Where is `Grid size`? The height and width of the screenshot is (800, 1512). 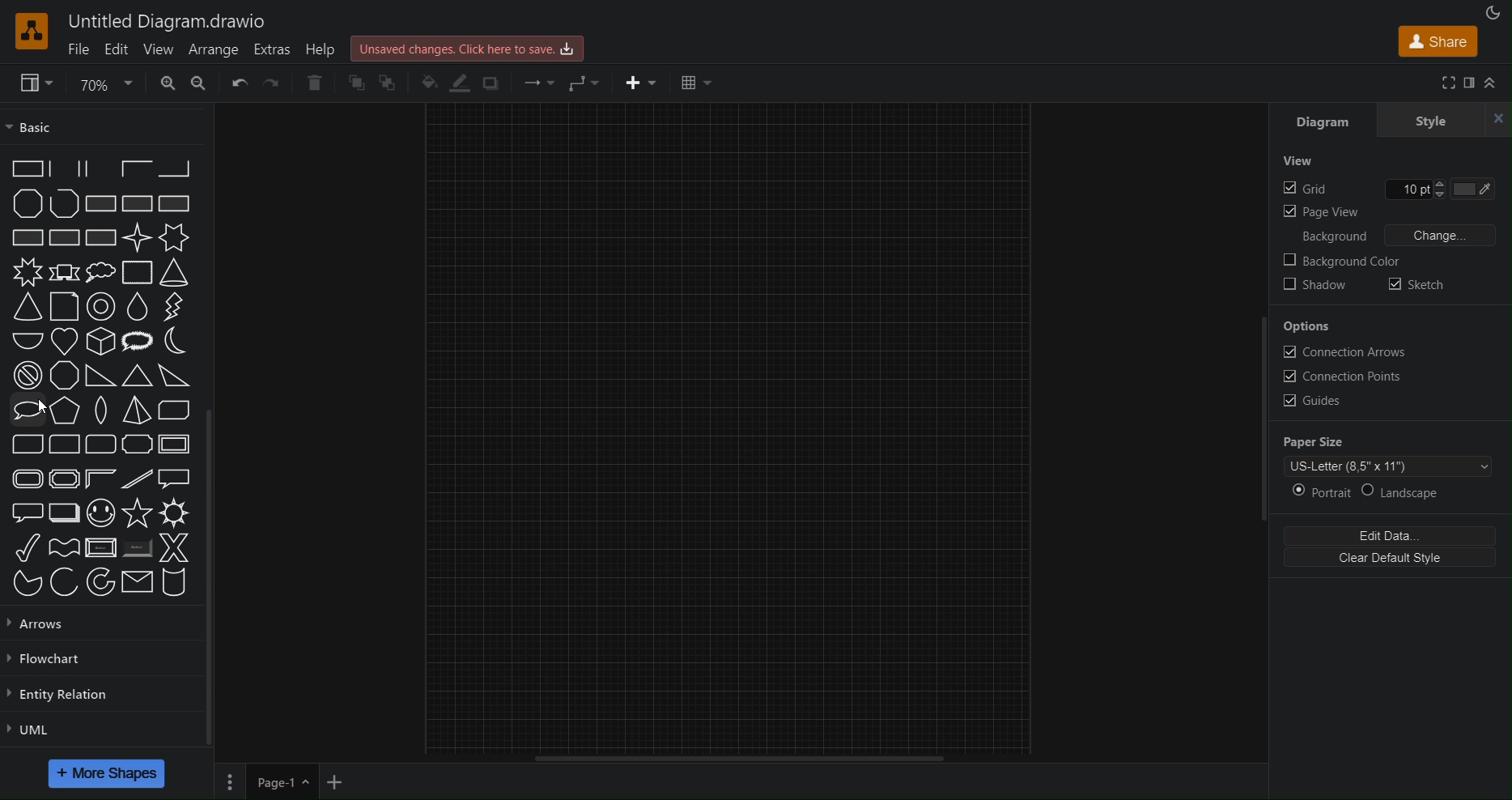 Grid size is located at coordinates (1412, 188).